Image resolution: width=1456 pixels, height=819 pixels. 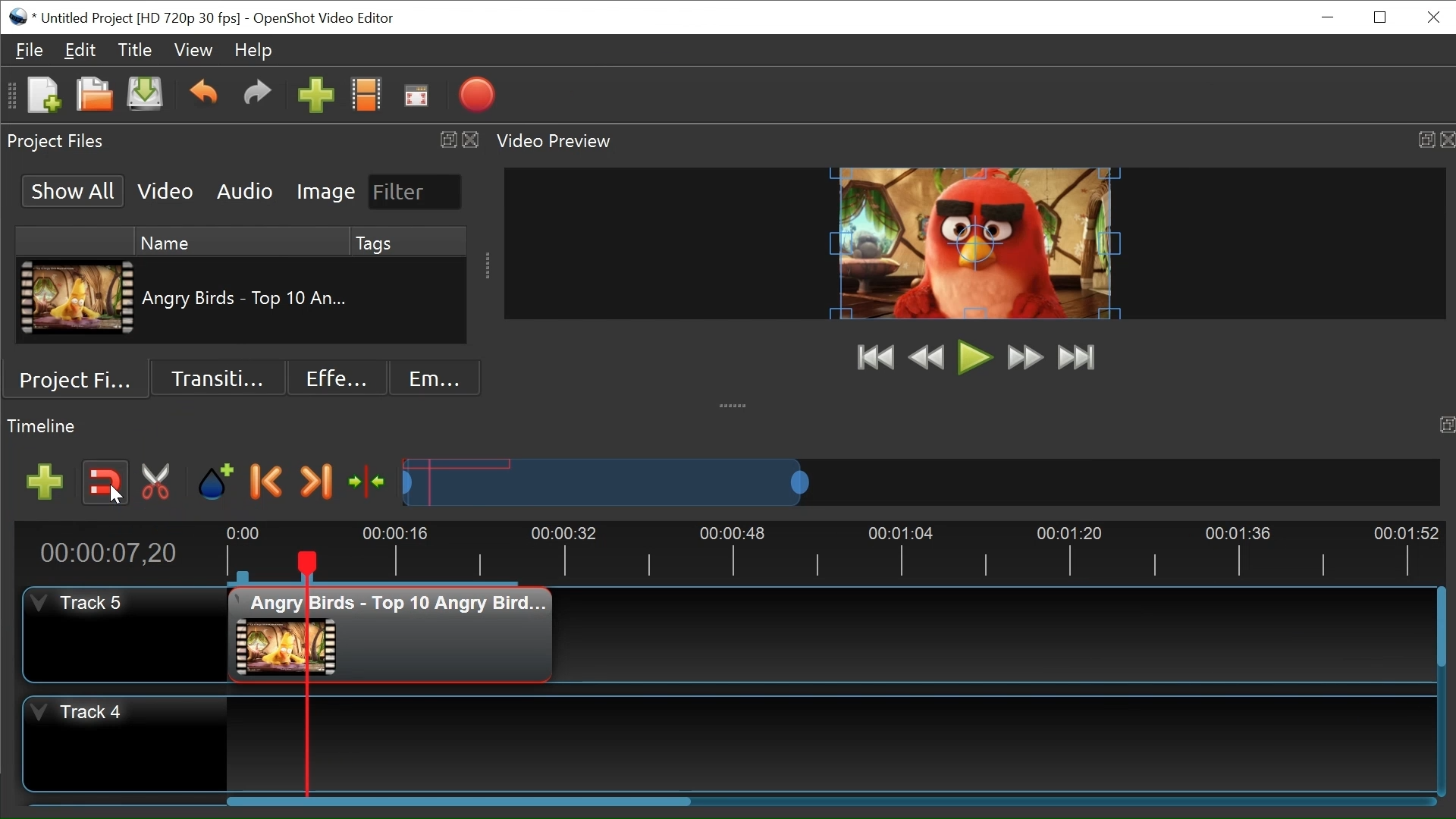 I want to click on File, so click(x=25, y=49).